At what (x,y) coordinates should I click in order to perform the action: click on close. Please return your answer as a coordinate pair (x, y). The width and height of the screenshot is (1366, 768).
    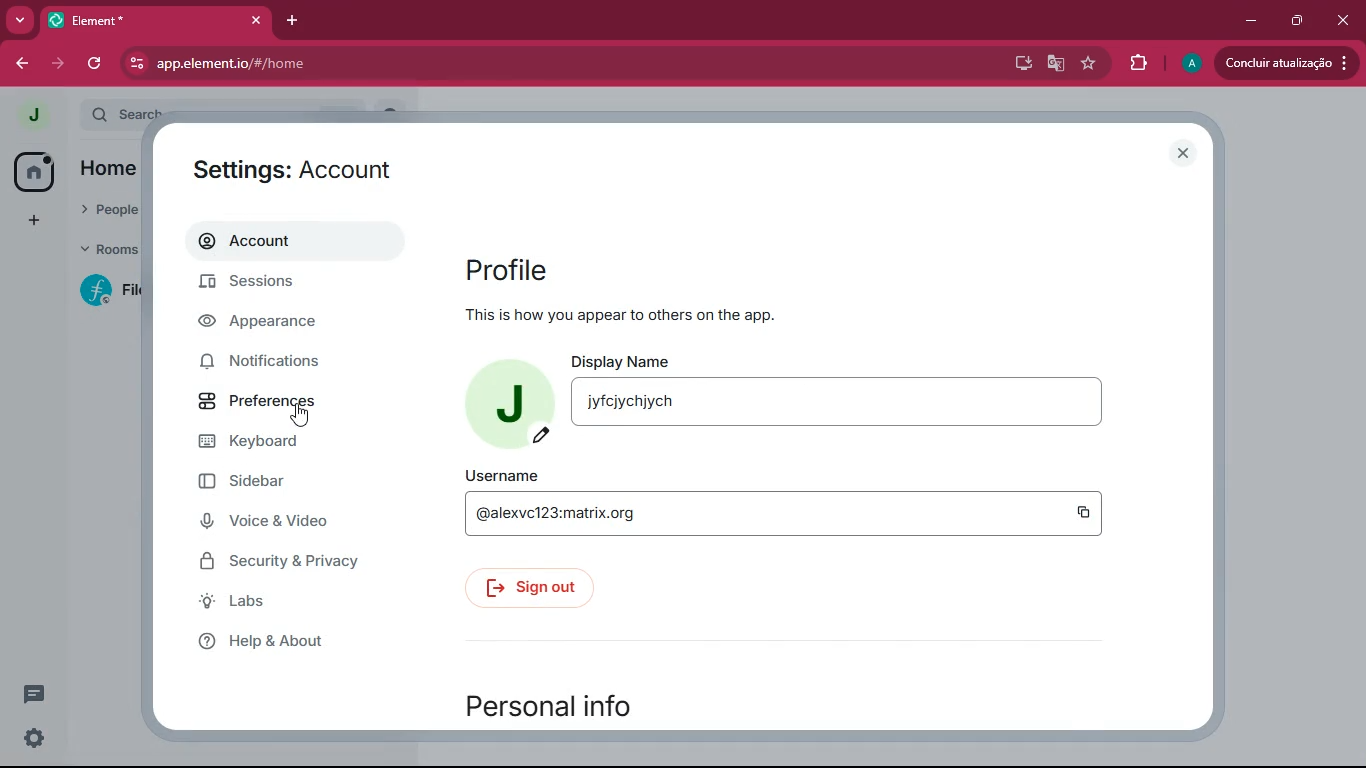
    Looking at the image, I should click on (1341, 20).